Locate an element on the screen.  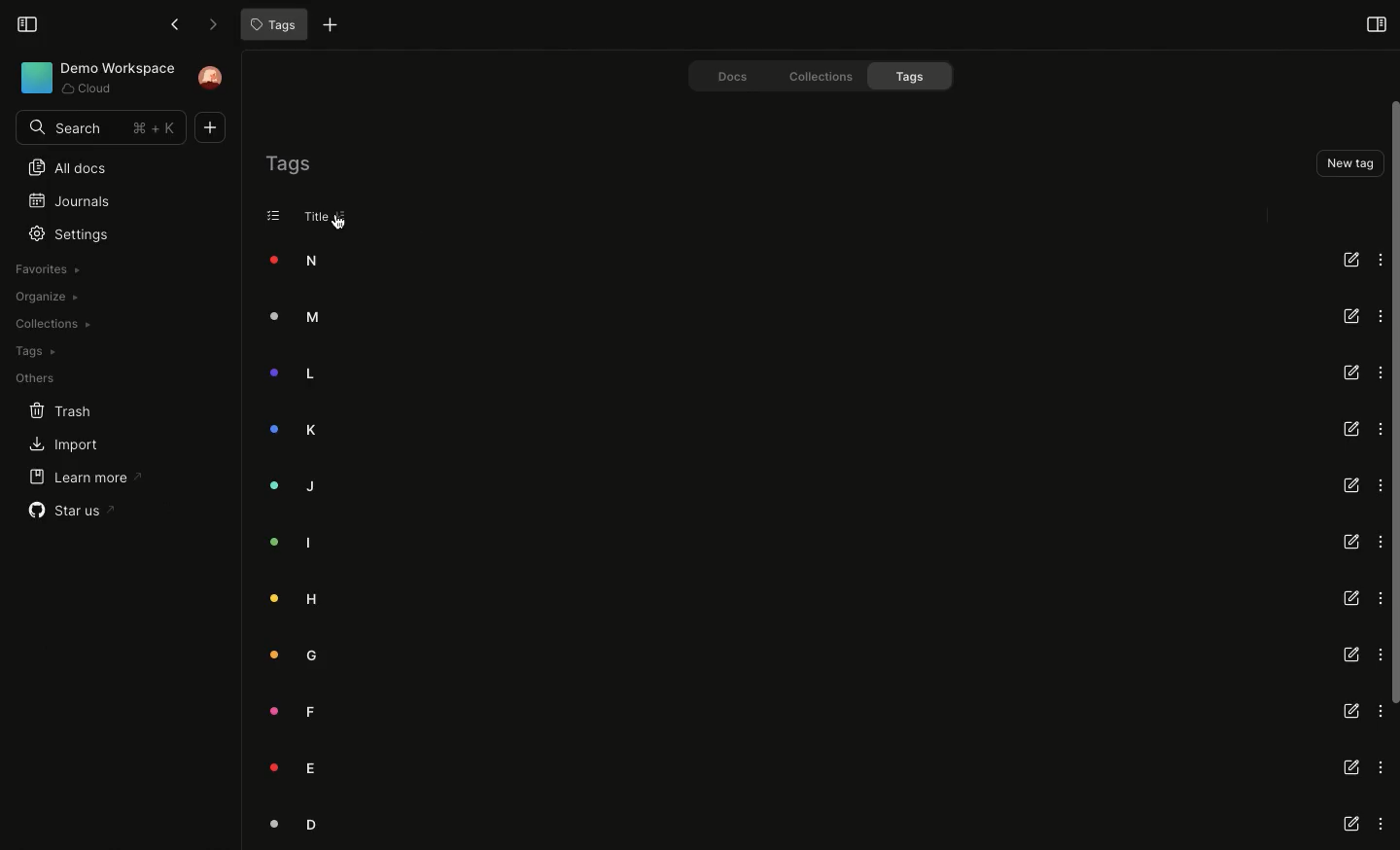
Back is located at coordinates (173, 24).